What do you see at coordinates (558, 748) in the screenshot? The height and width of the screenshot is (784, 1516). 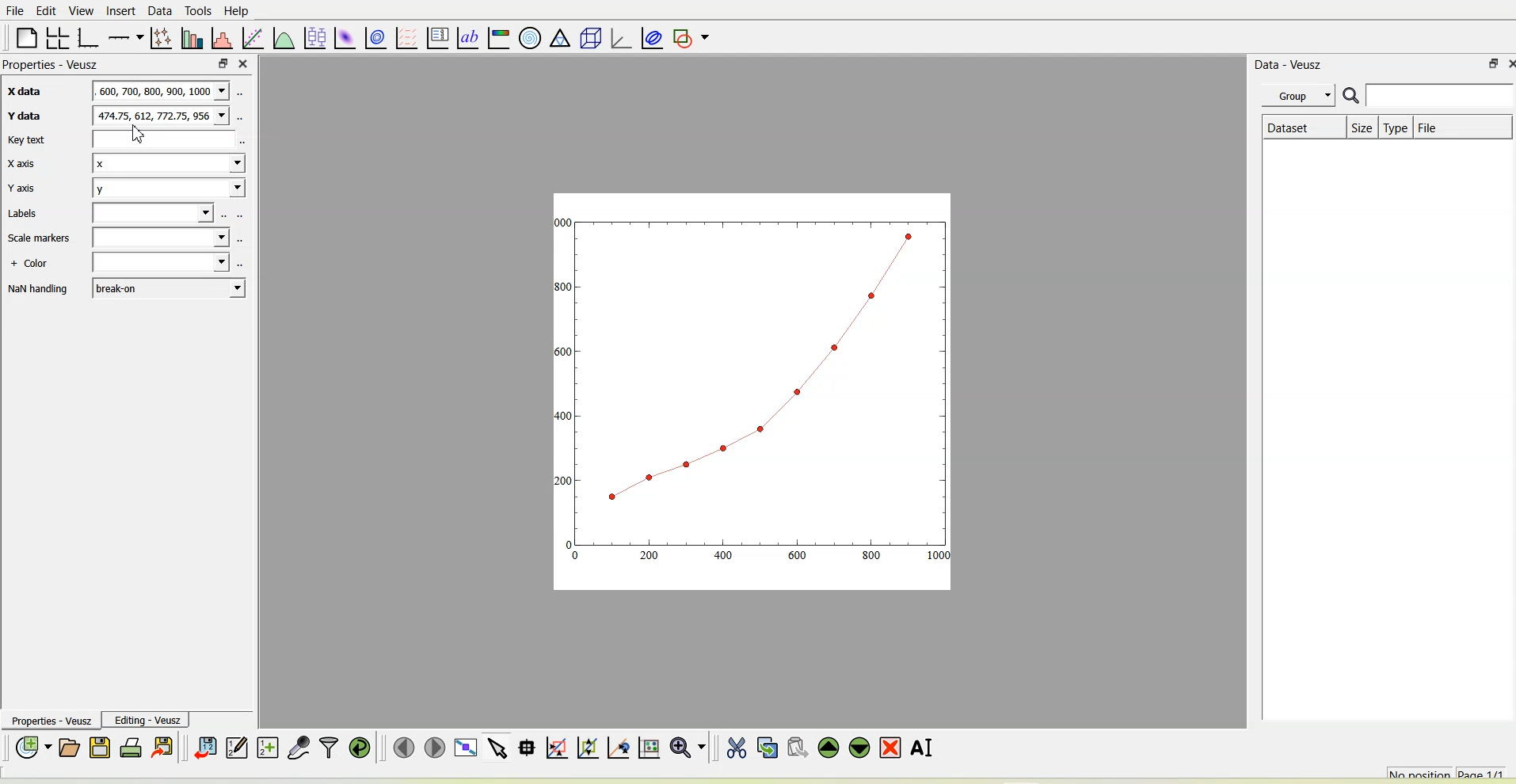 I see `Click or draw a rectangle to zoom graph axes` at bounding box center [558, 748].